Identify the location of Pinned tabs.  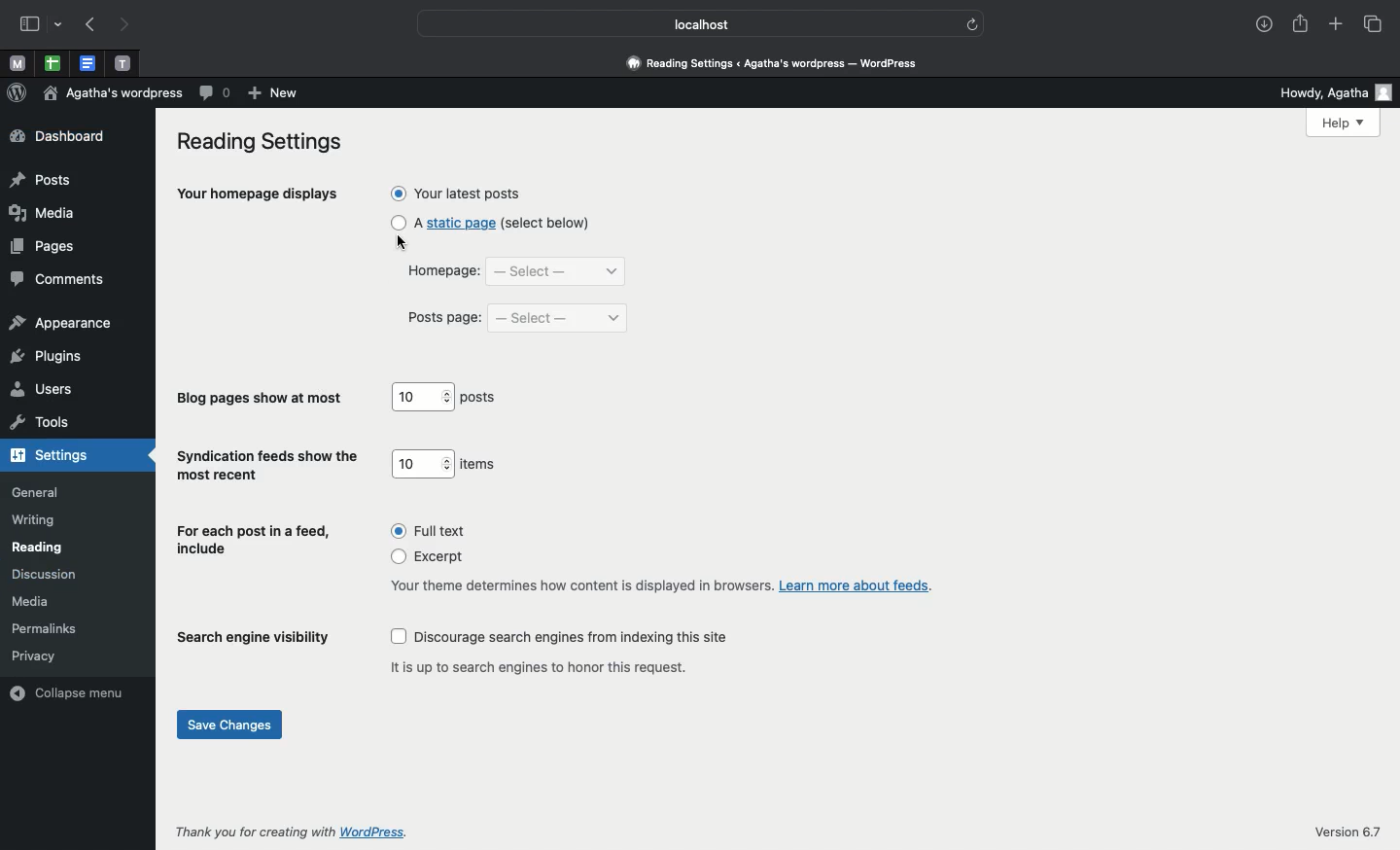
(52, 63).